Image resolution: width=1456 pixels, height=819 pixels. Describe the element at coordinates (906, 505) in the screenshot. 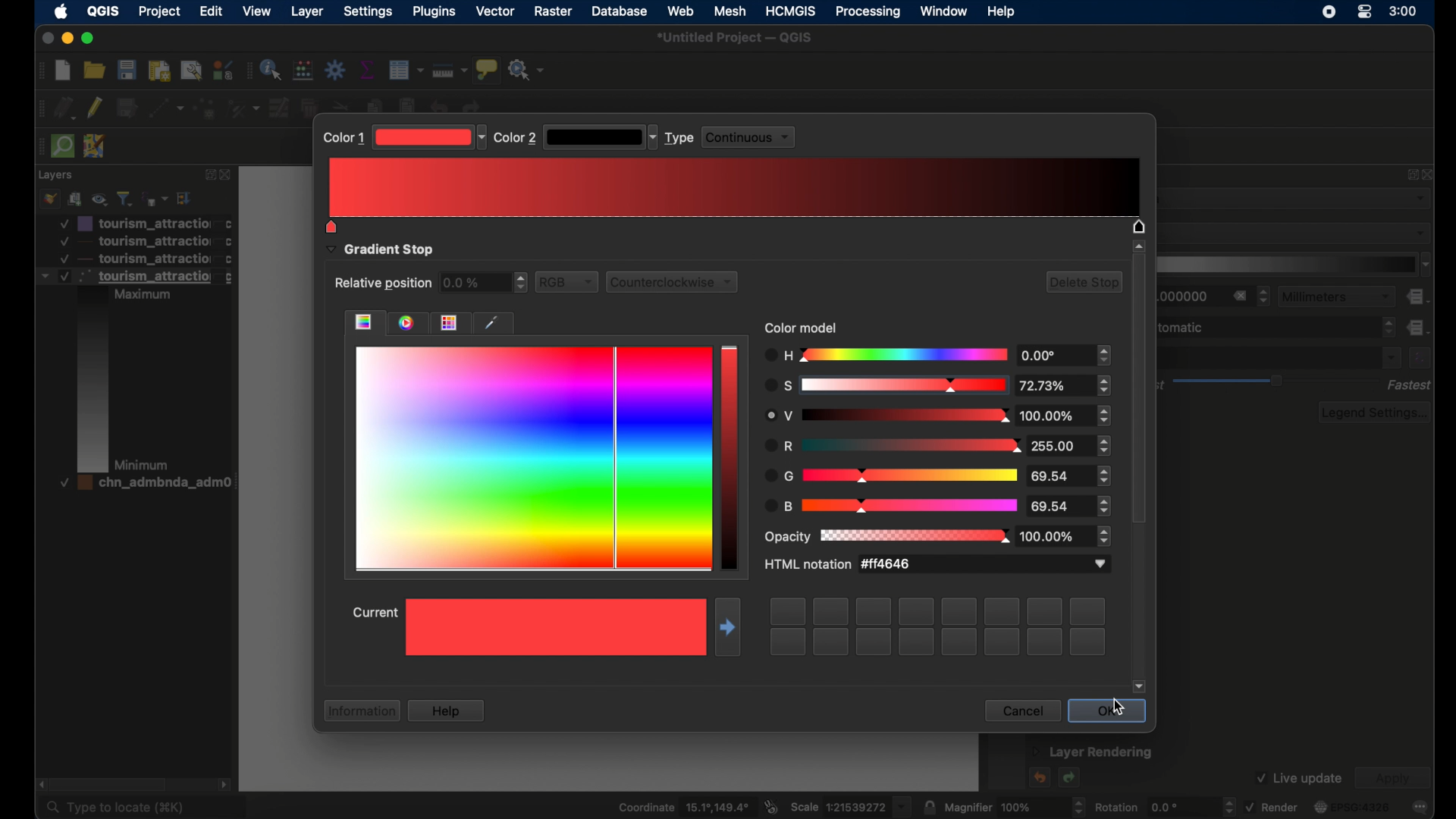

I see `color changed` at that location.